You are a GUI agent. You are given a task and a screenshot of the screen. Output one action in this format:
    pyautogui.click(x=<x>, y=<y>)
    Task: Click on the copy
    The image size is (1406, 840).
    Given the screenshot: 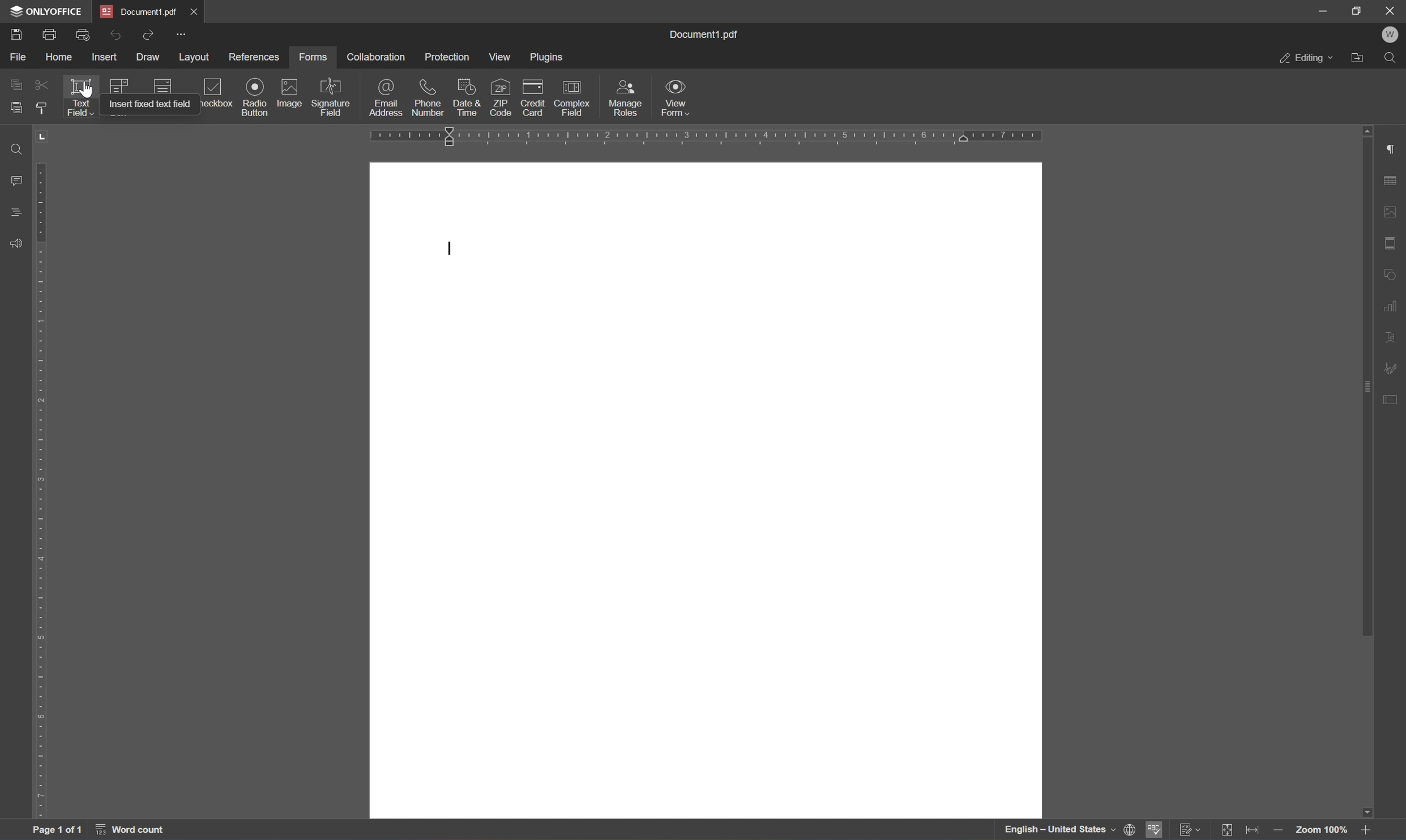 What is the action you would take?
    pyautogui.click(x=14, y=85)
    